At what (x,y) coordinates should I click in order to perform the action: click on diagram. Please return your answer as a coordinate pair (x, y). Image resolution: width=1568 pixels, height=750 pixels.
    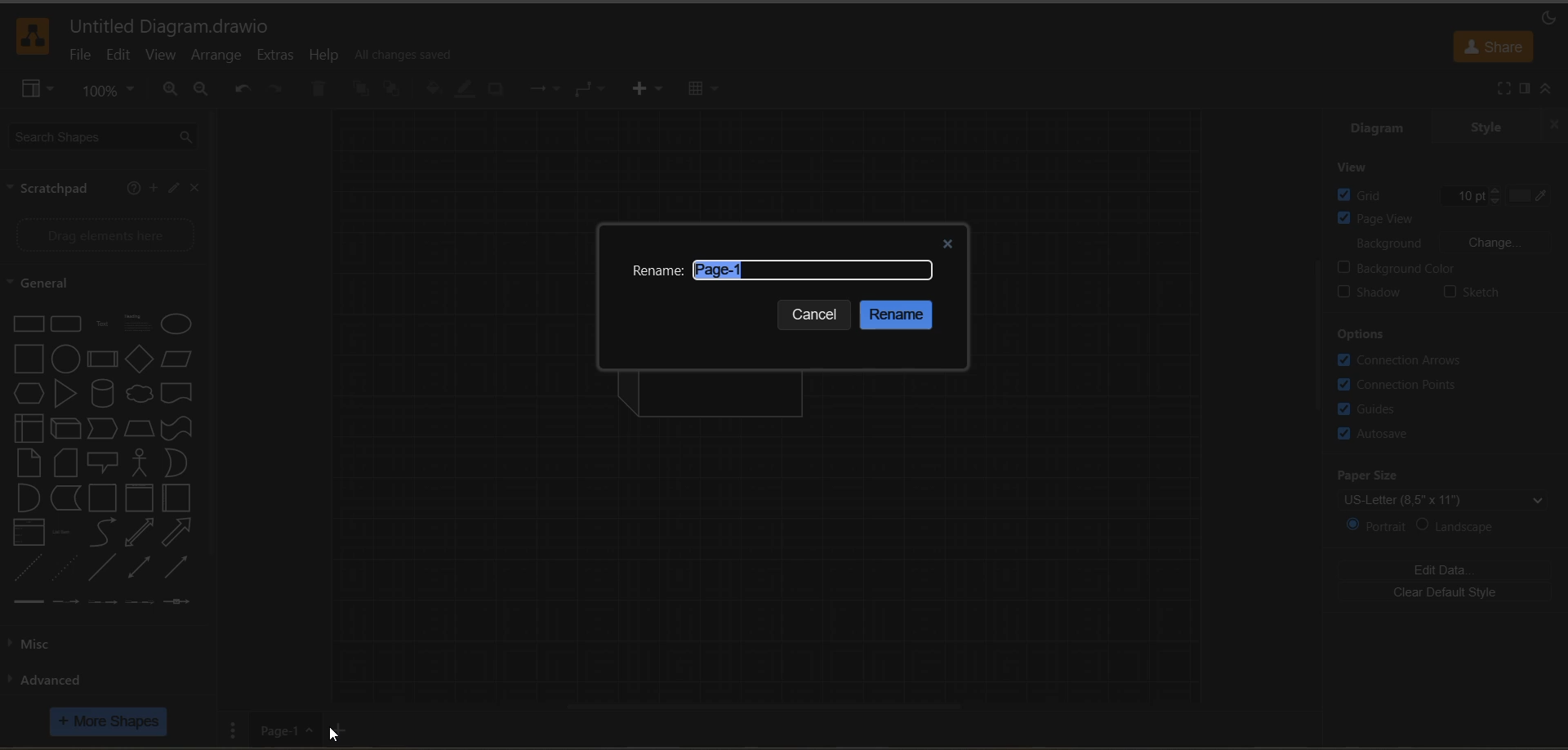
    Looking at the image, I should click on (1377, 130).